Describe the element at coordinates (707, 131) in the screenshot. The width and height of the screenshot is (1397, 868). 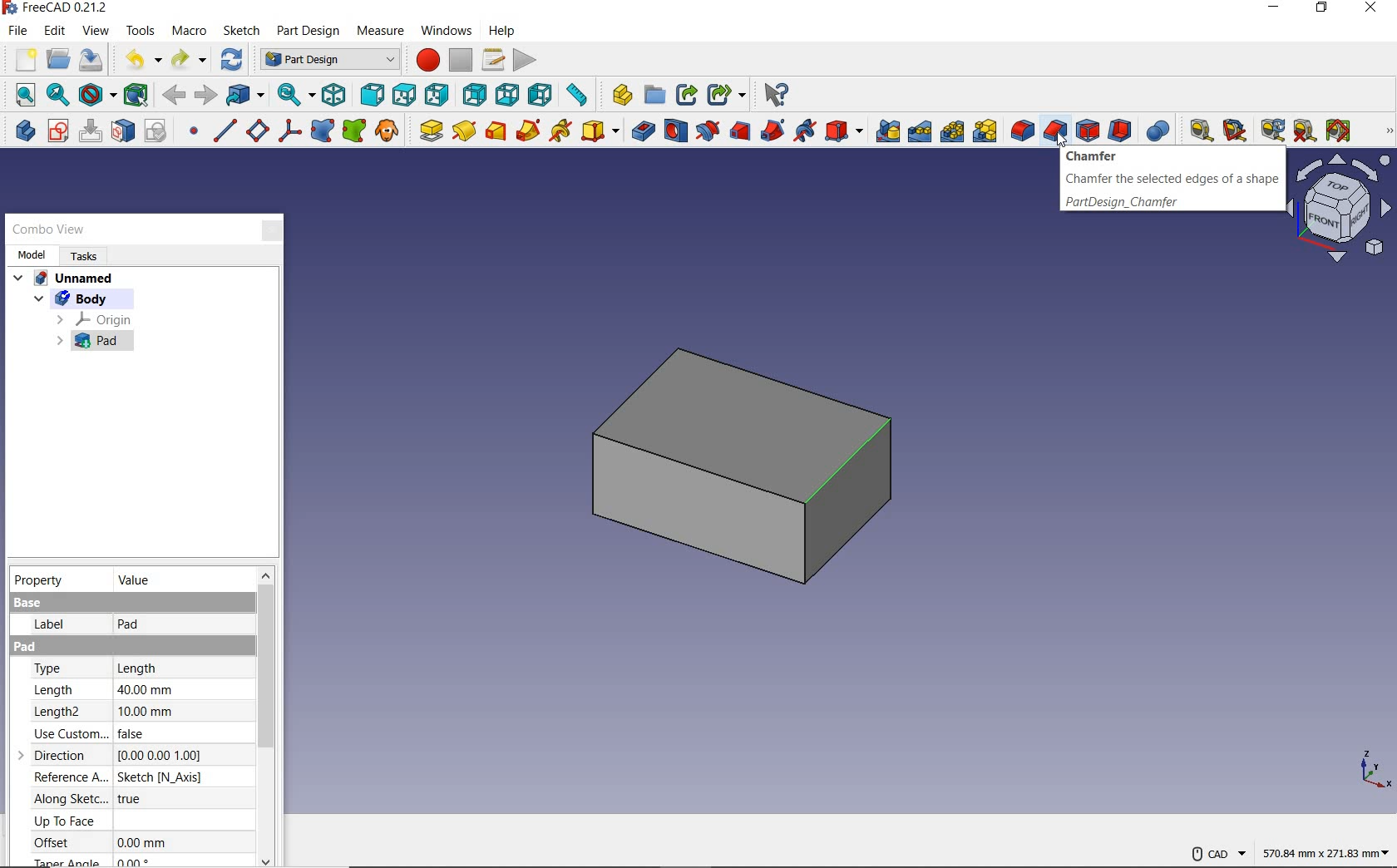
I see `groove` at that location.